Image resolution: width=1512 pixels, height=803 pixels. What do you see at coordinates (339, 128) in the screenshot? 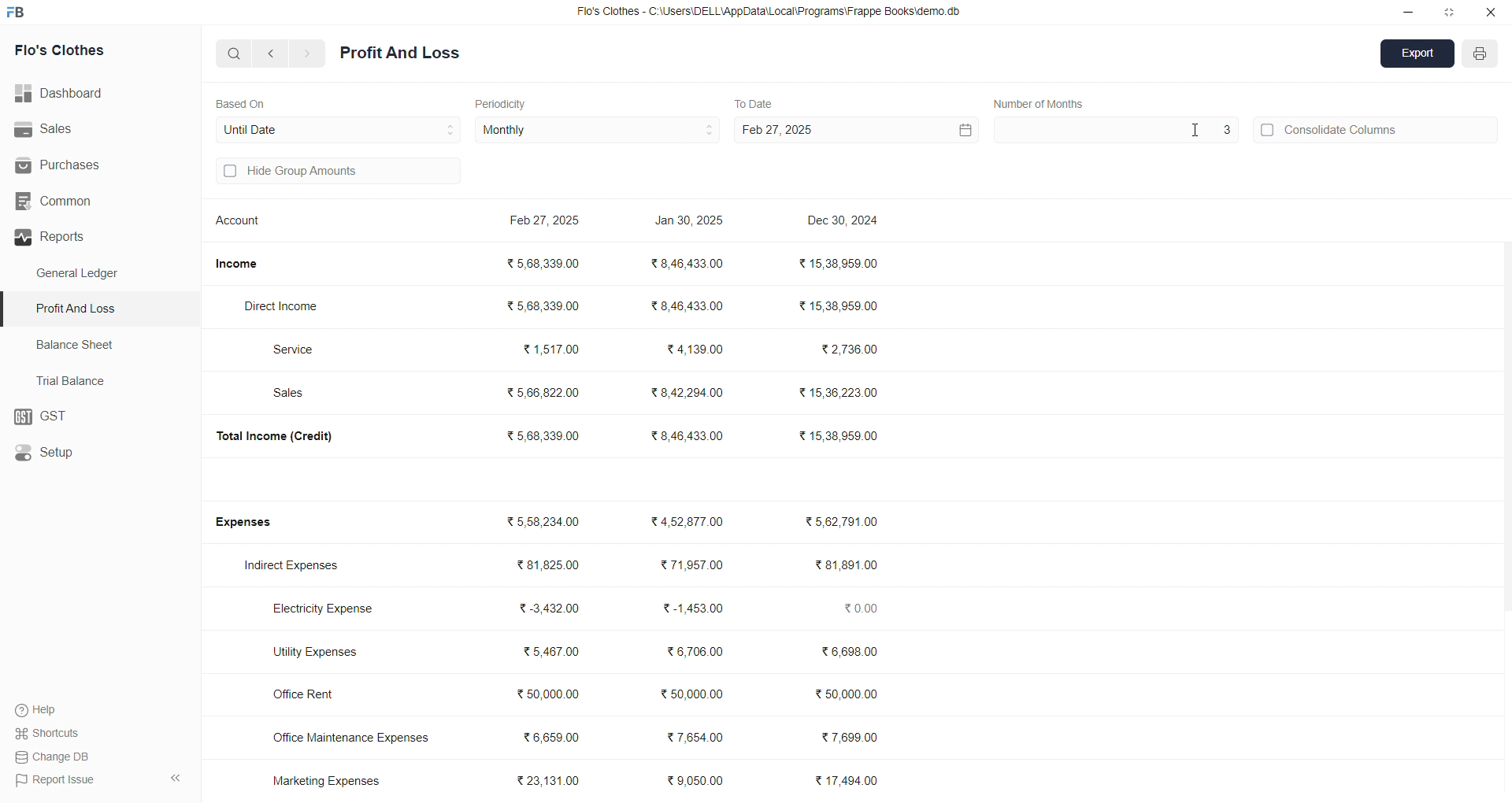
I see `Until Date` at bounding box center [339, 128].